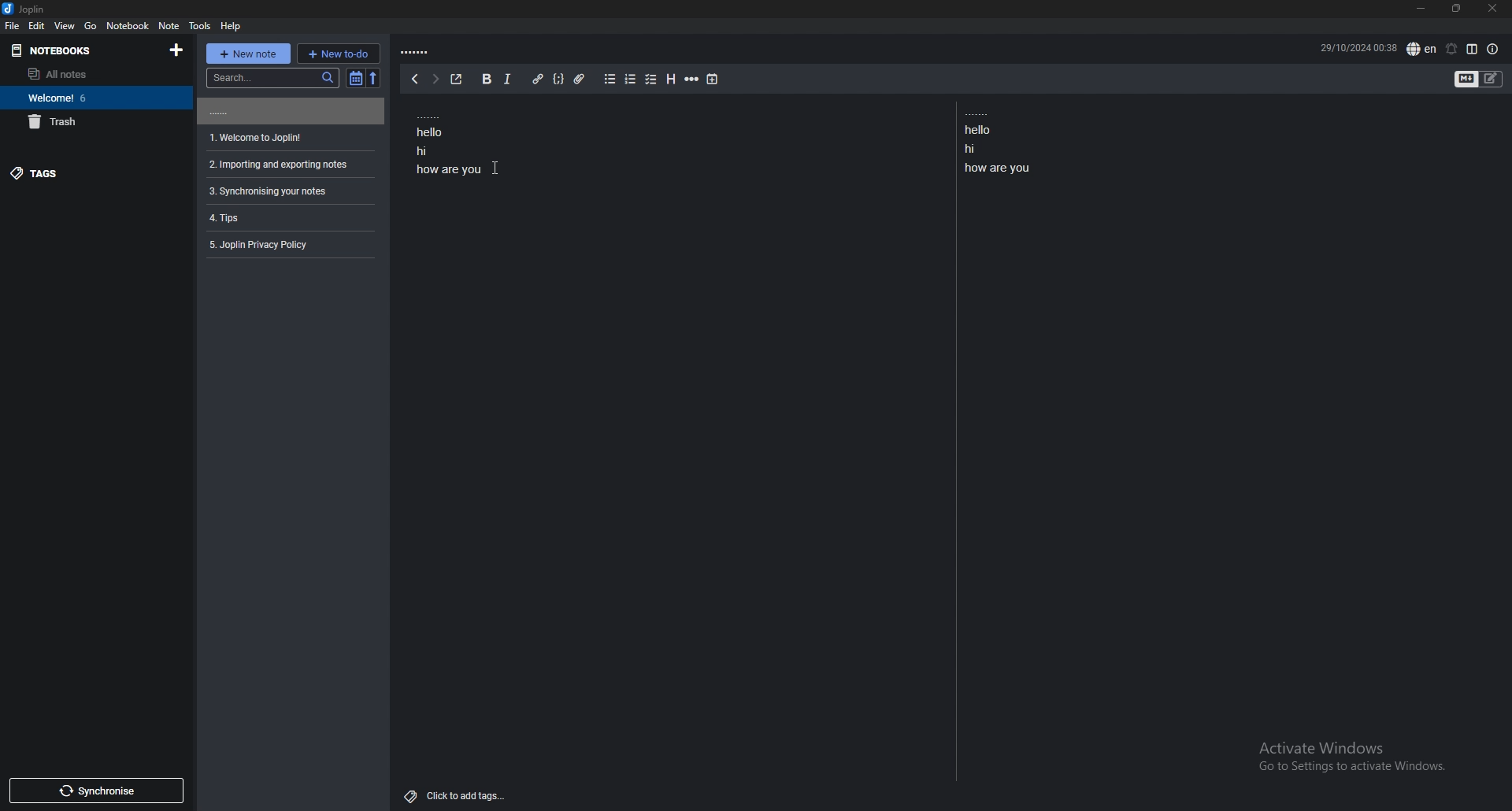 Image resolution: width=1512 pixels, height=811 pixels. What do you see at coordinates (451, 142) in the screenshot?
I see `note text` at bounding box center [451, 142].